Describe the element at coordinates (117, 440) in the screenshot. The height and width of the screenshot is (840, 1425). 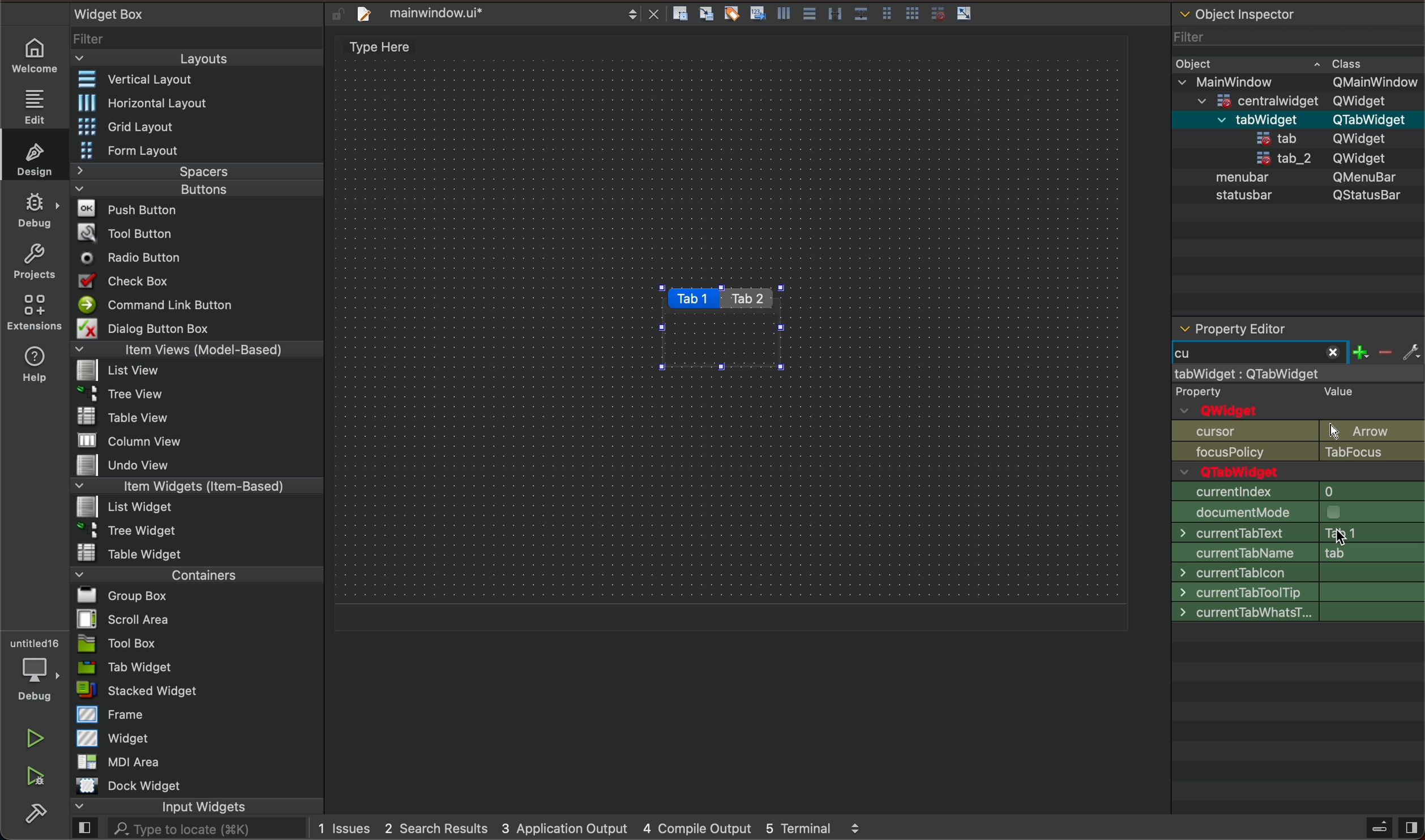
I see `MW column view` at that location.